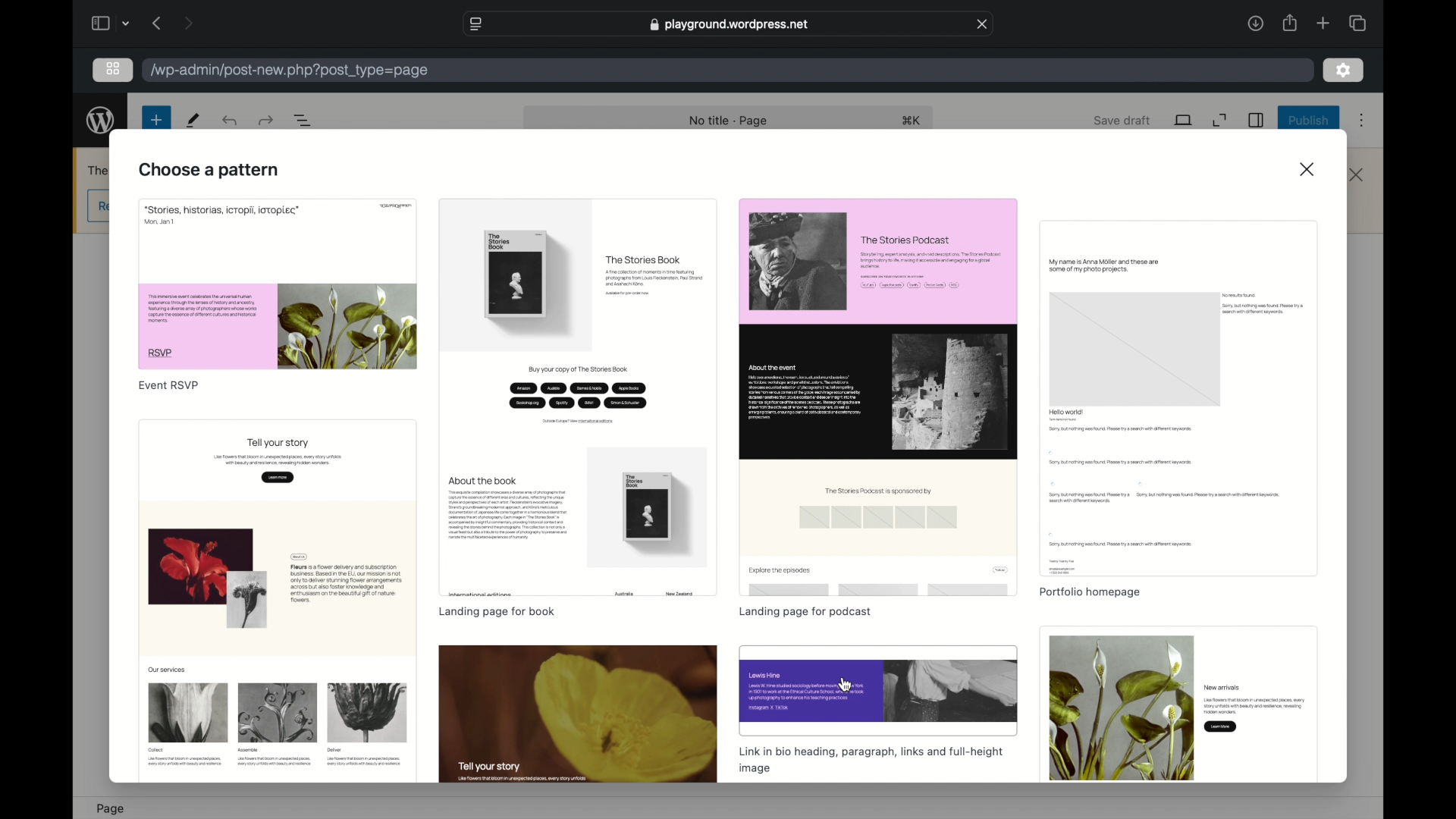 The image size is (1456, 819). Describe the element at coordinates (295, 71) in the screenshot. I see `/wp-admin/post-new.php?post_type=page` at that location.